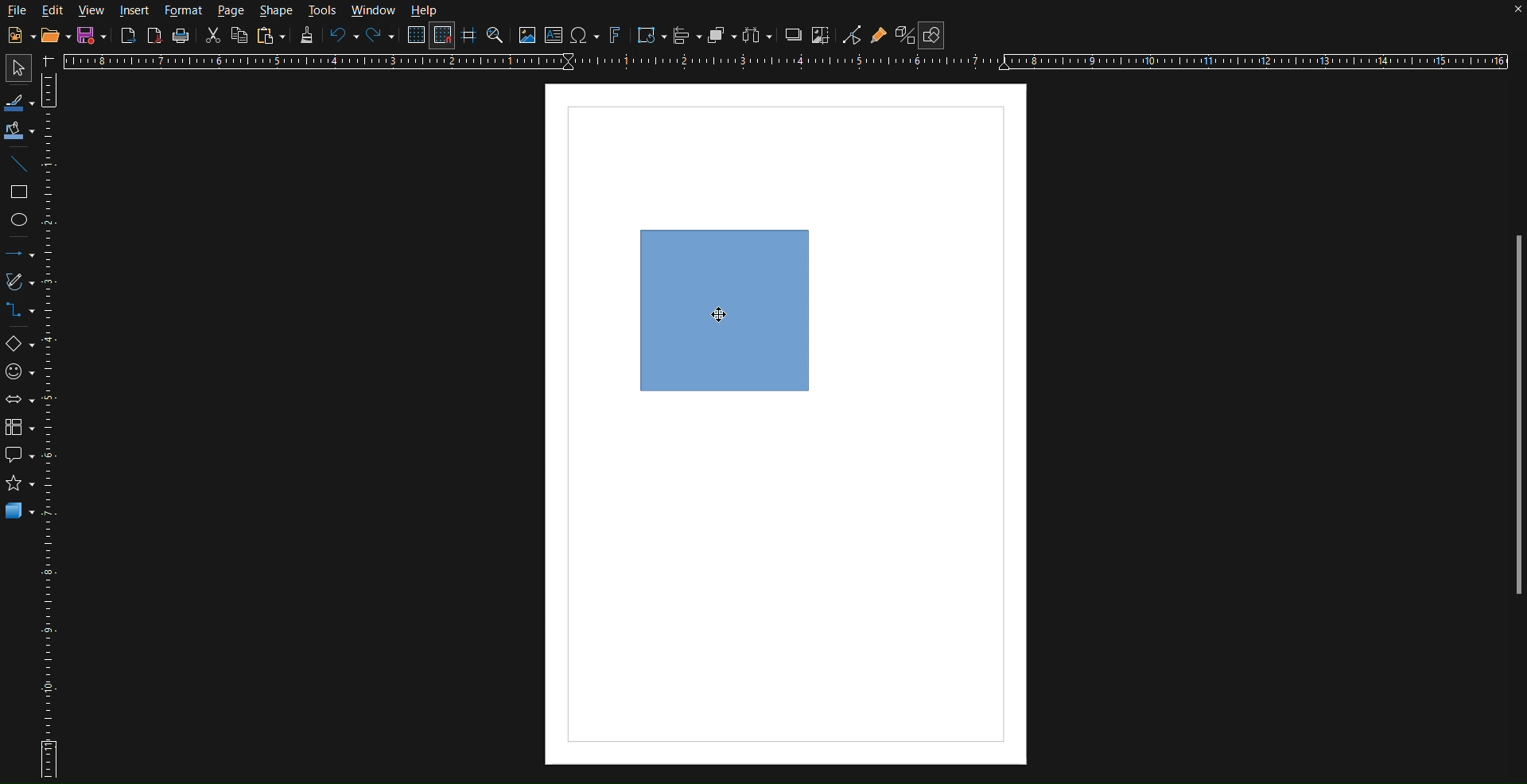 This screenshot has width=1527, height=784. What do you see at coordinates (19, 254) in the screenshot?
I see `Lines and Arrows` at bounding box center [19, 254].